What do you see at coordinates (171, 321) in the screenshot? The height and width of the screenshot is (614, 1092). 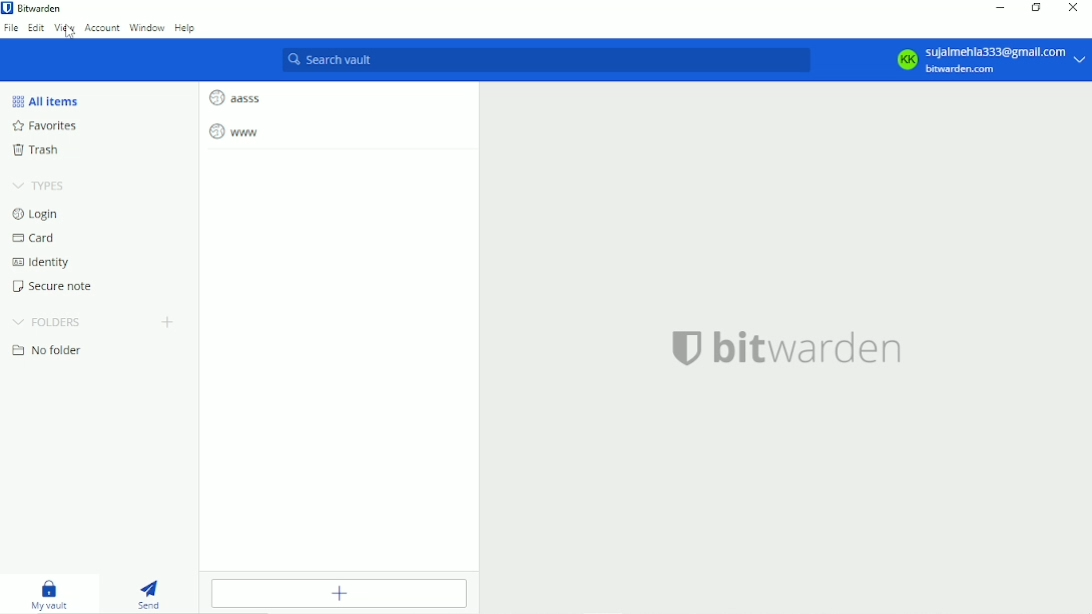 I see `Create folder` at bounding box center [171, 321].